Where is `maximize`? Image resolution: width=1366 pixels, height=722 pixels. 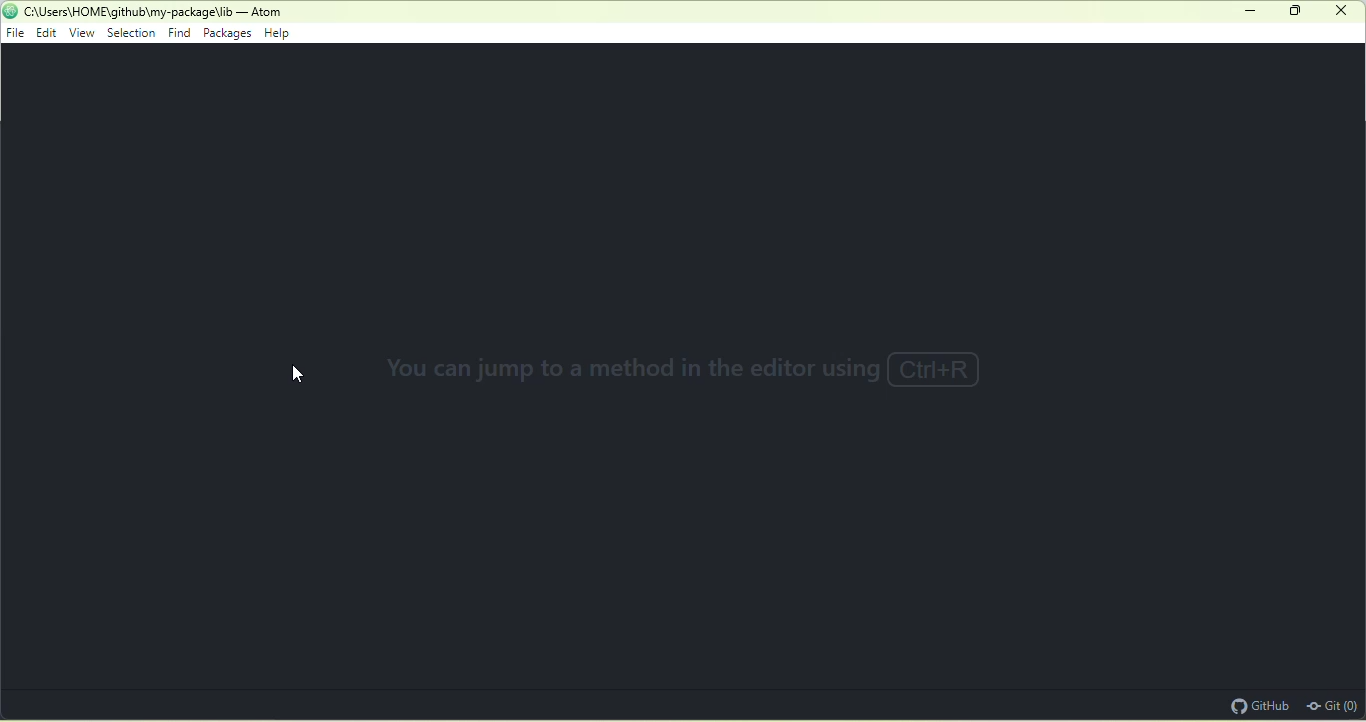 maximize is located at coordinates (1297, 14).